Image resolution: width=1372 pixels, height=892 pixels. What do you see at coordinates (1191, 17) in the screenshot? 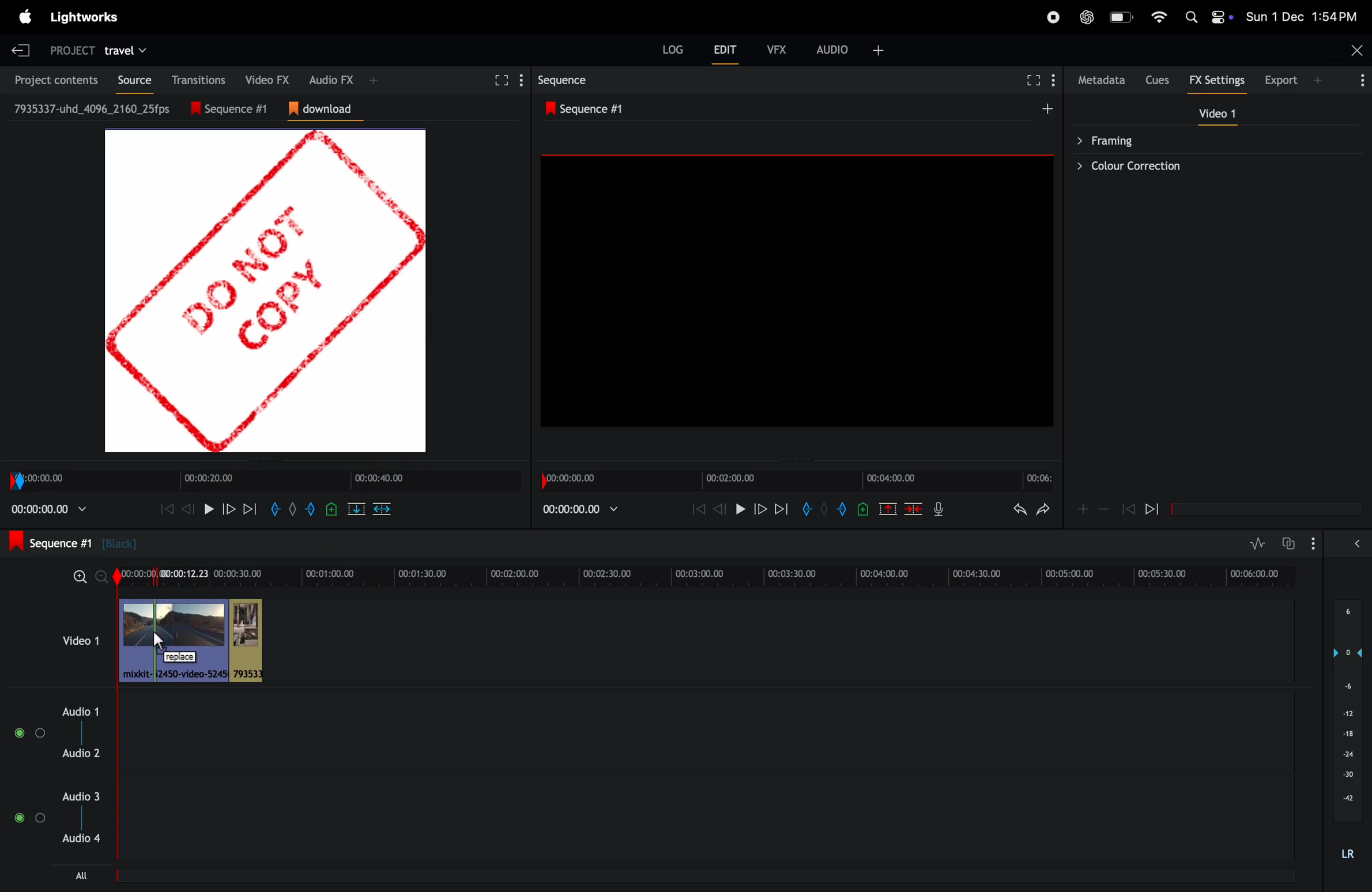
I see `Search` at bounding box center [1191, 17].